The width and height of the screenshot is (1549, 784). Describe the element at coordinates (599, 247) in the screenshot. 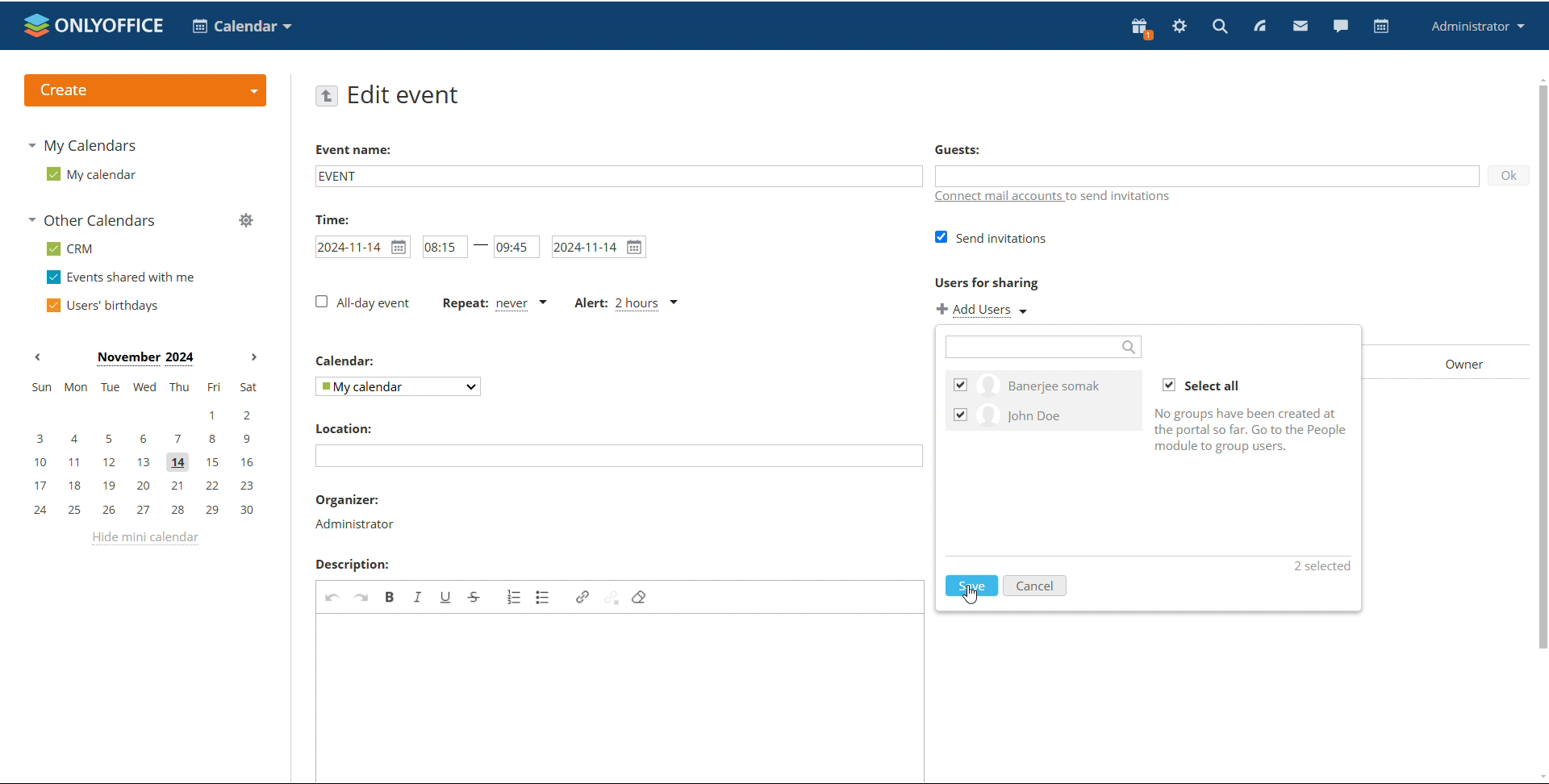

I see `set end date` at that location.